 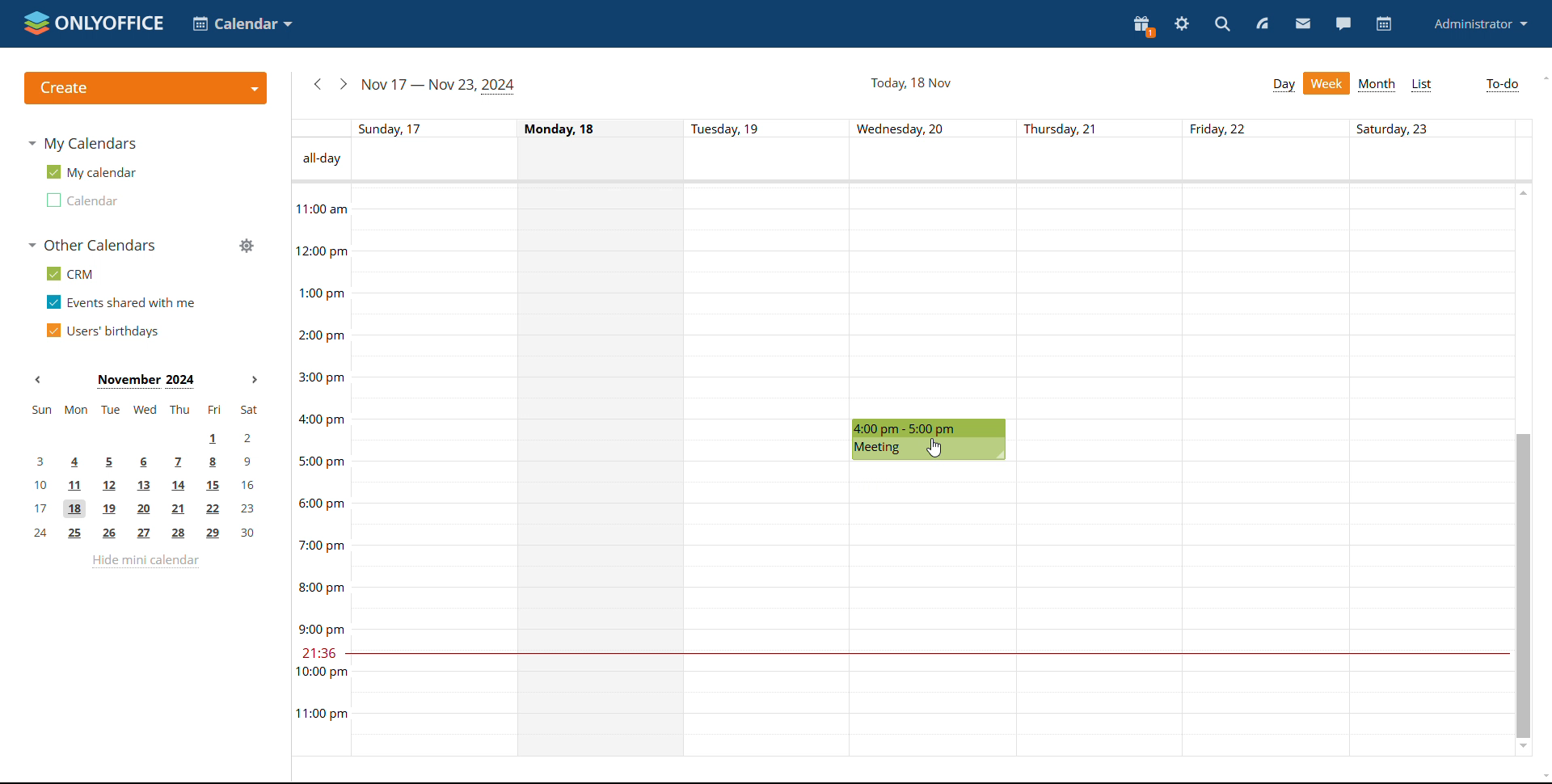 I want to click on second calendar, so click(x=80, y=200).